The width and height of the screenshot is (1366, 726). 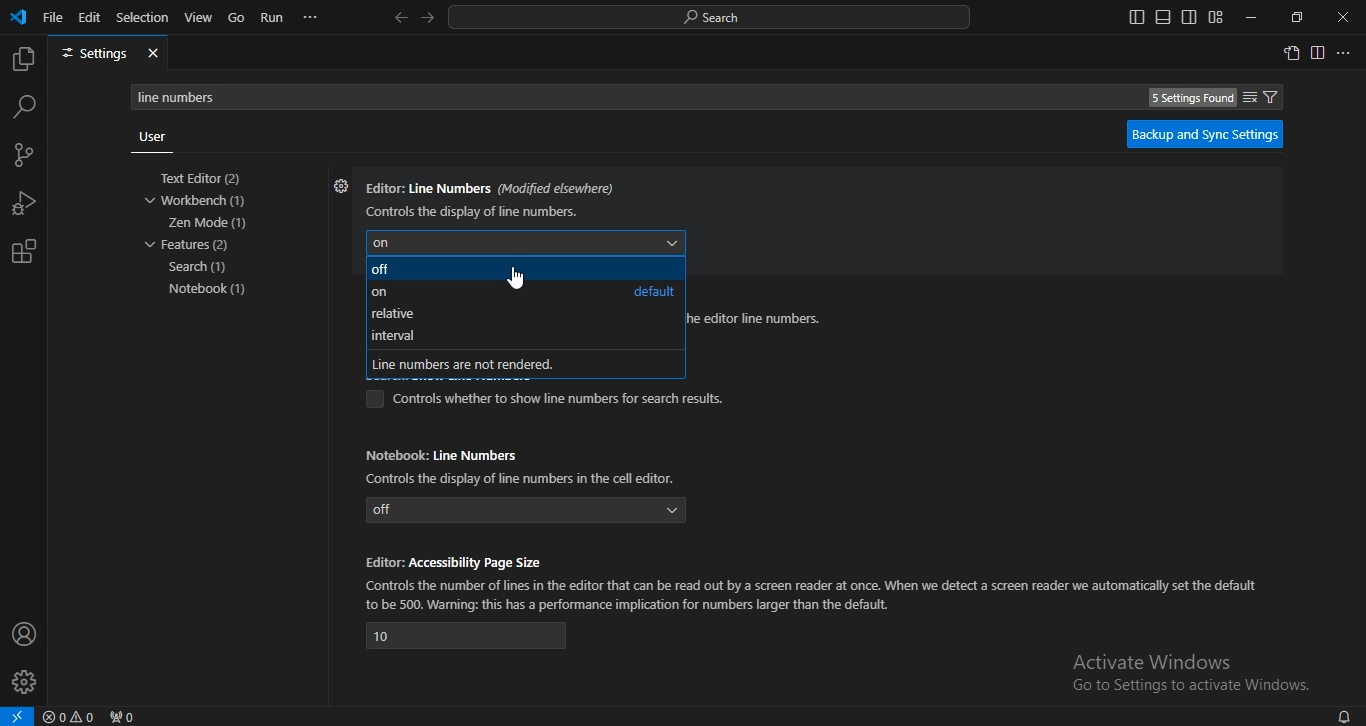 I want to click on zen mode, so click(x=209, y=223).